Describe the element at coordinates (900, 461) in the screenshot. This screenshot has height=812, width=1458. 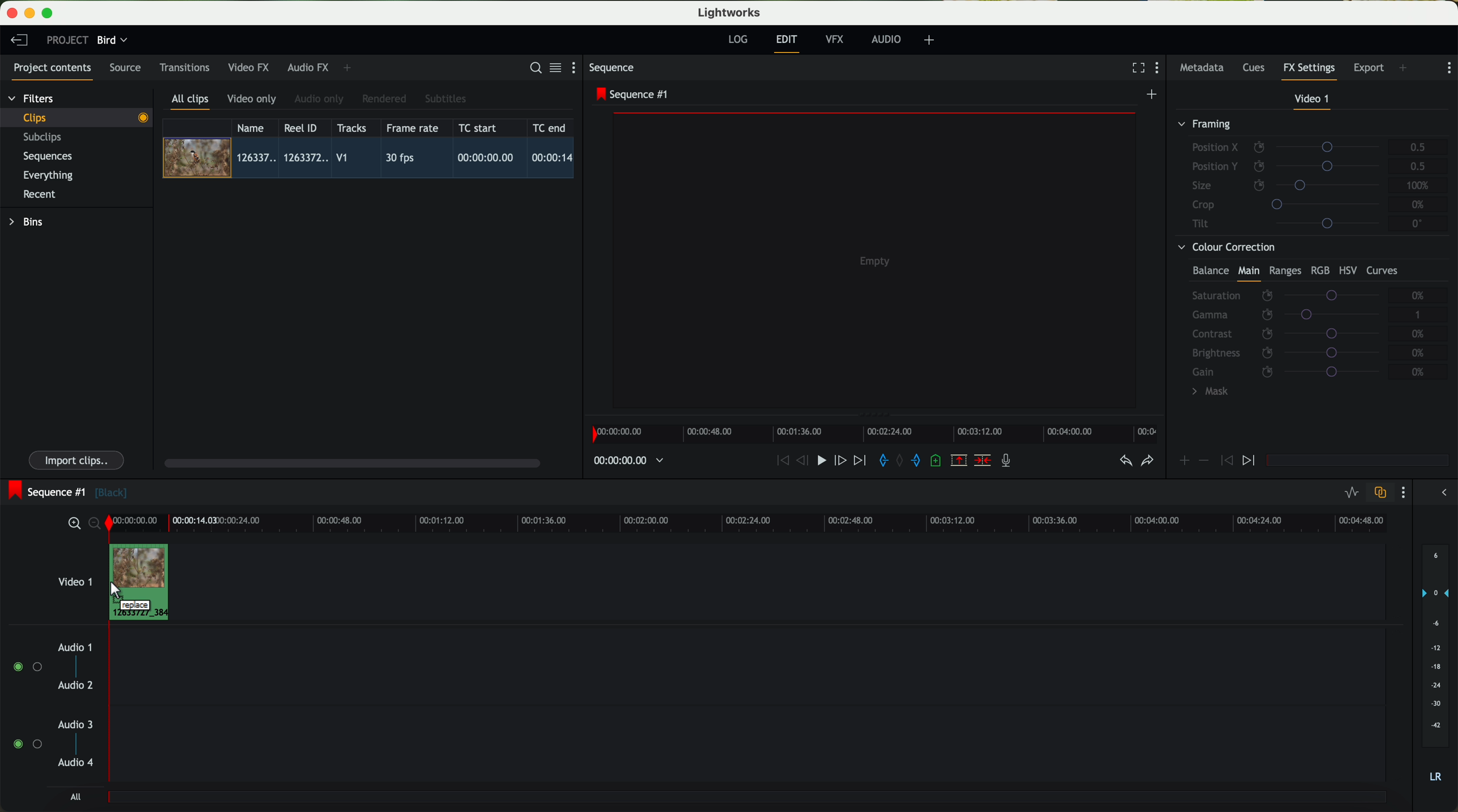
I see `clear marks` at that location.